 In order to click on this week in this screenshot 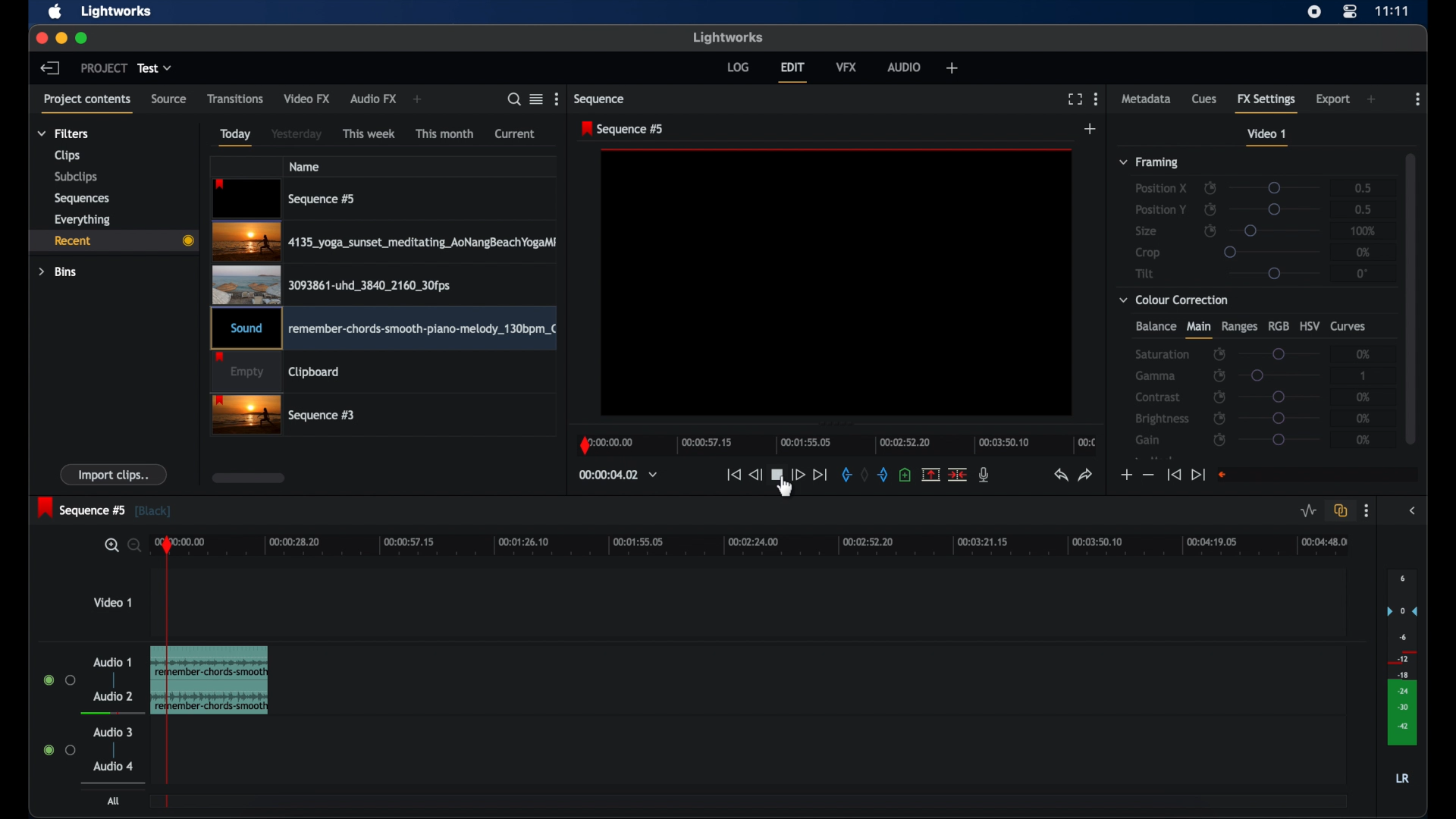, I will do `click(369, 134)`.